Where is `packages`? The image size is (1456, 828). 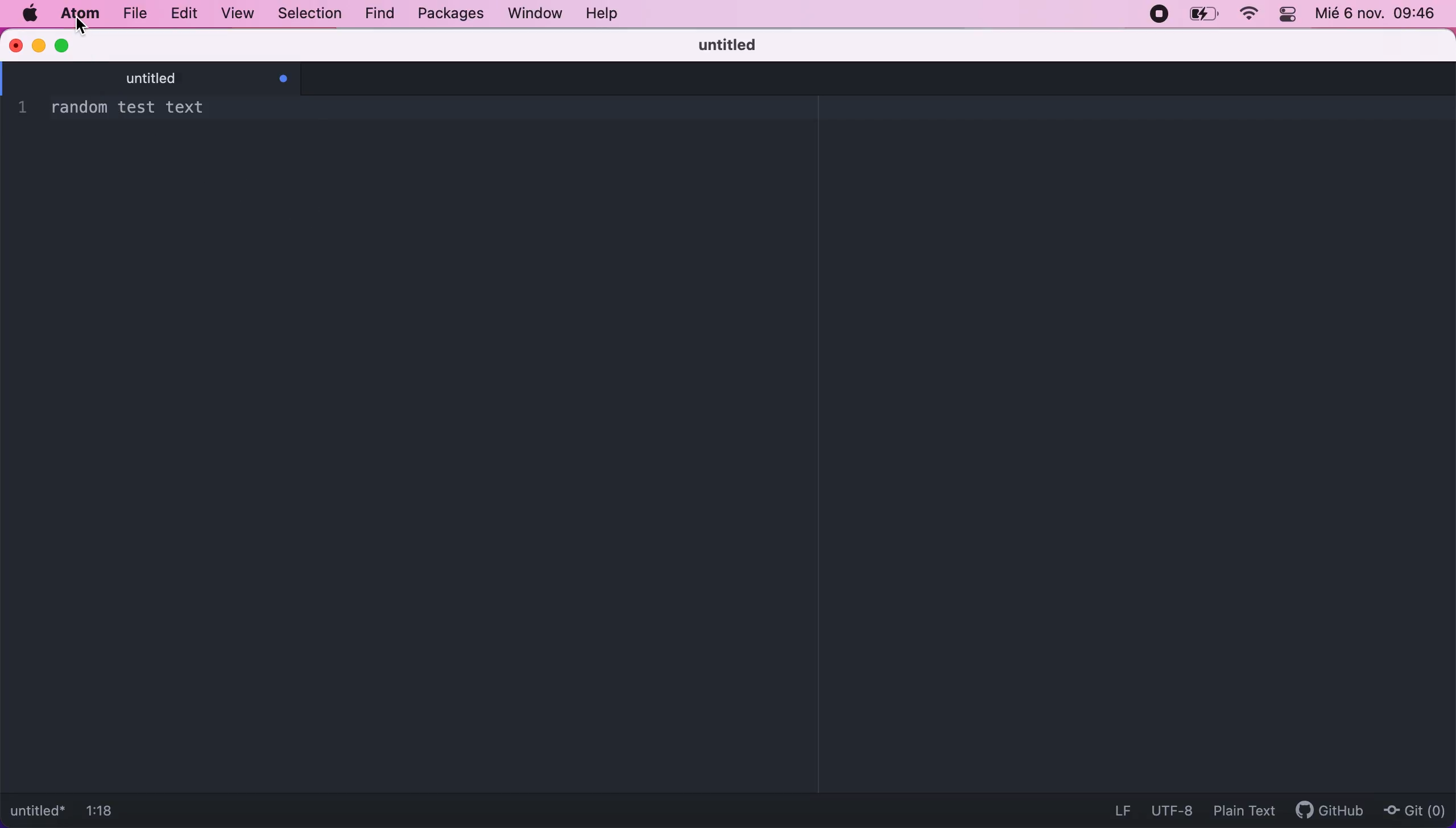
packages is located at coordinates (449, 16).